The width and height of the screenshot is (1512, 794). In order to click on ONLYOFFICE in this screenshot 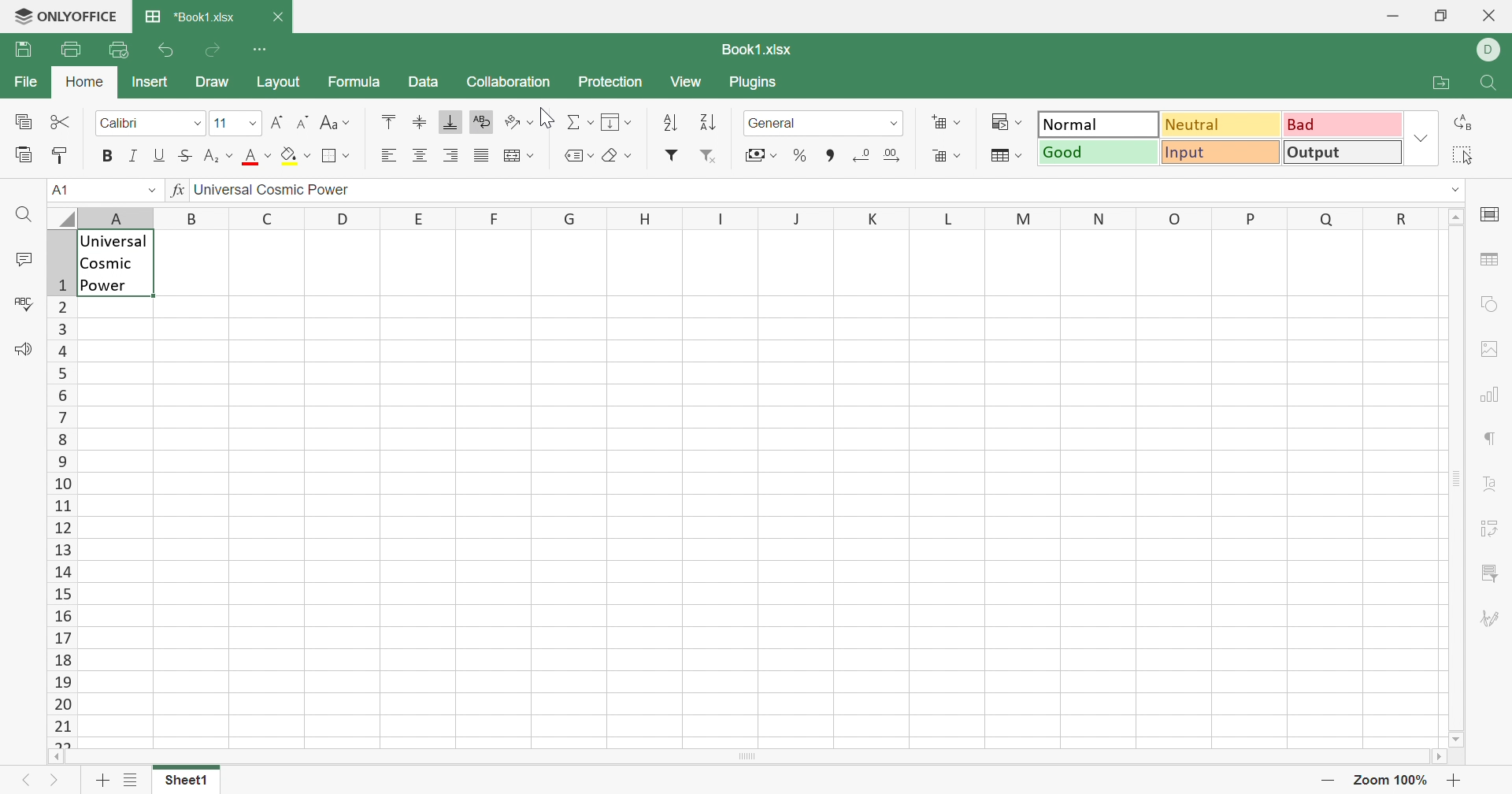, I will do `click(65, 17)`.